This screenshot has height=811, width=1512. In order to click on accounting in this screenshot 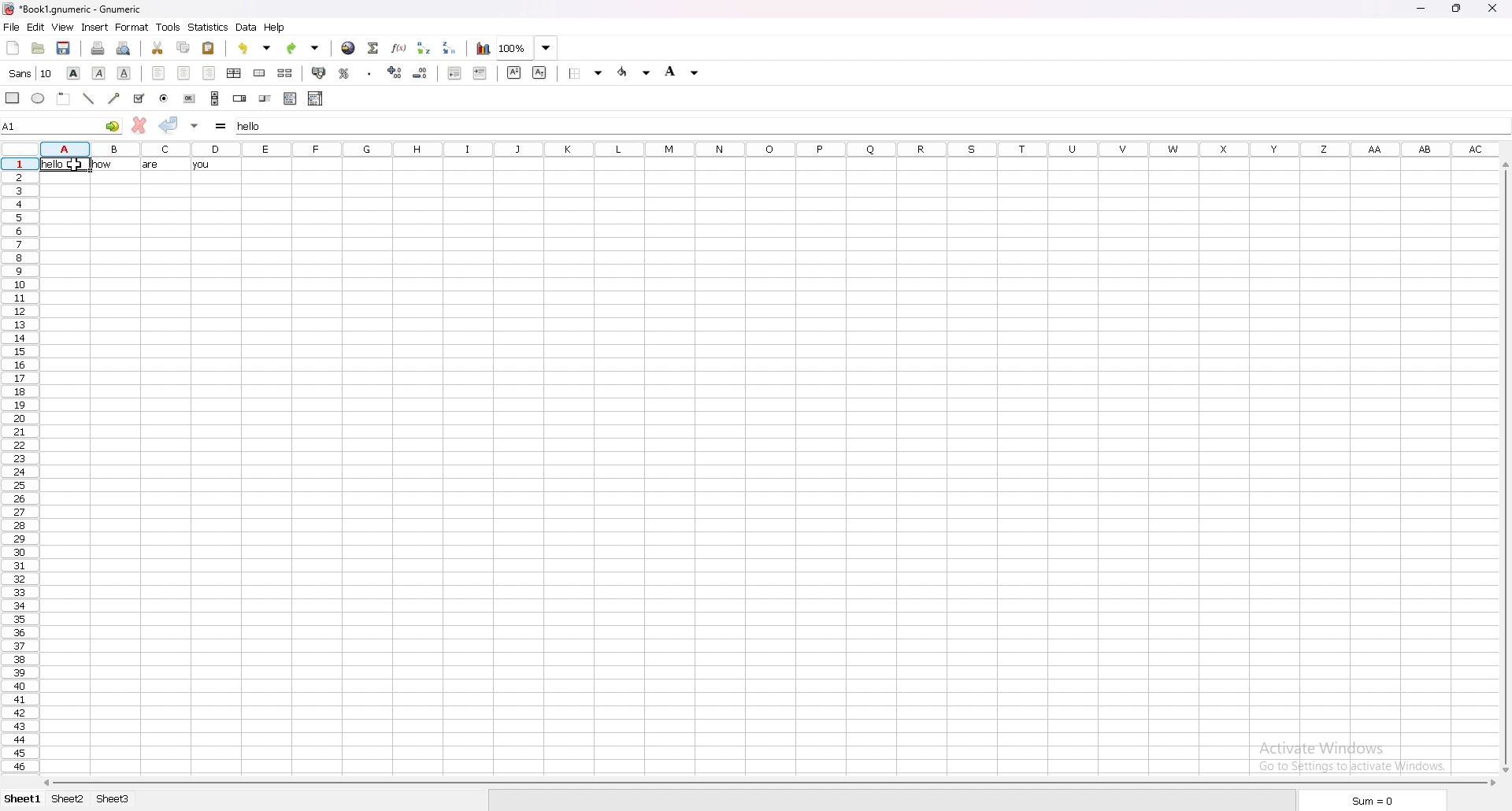, I will do `click(321, 73)`.